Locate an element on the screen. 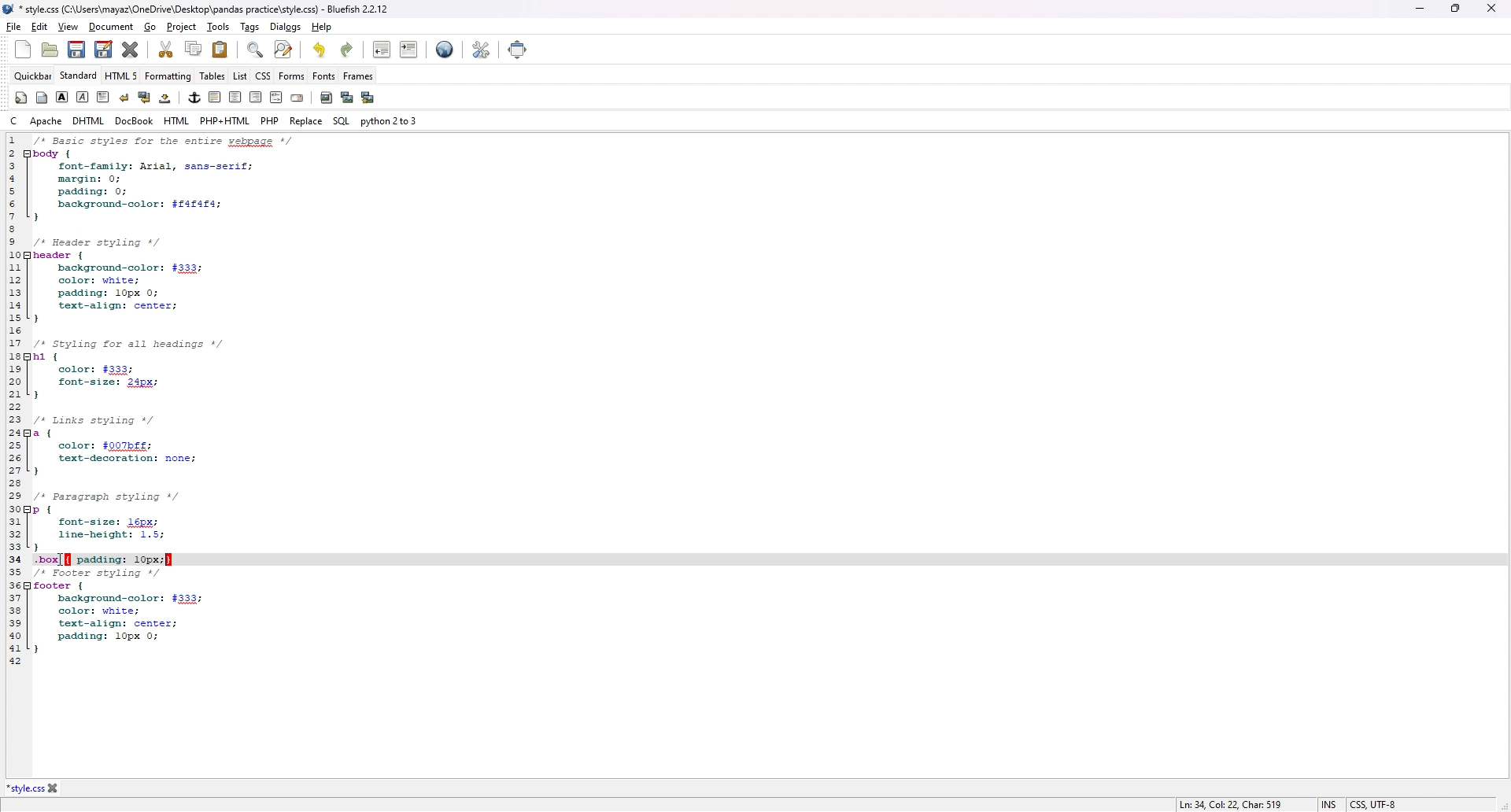 This screenshot has width=1511, height=812. advanced find and replace is located at coordinates (284, 50).